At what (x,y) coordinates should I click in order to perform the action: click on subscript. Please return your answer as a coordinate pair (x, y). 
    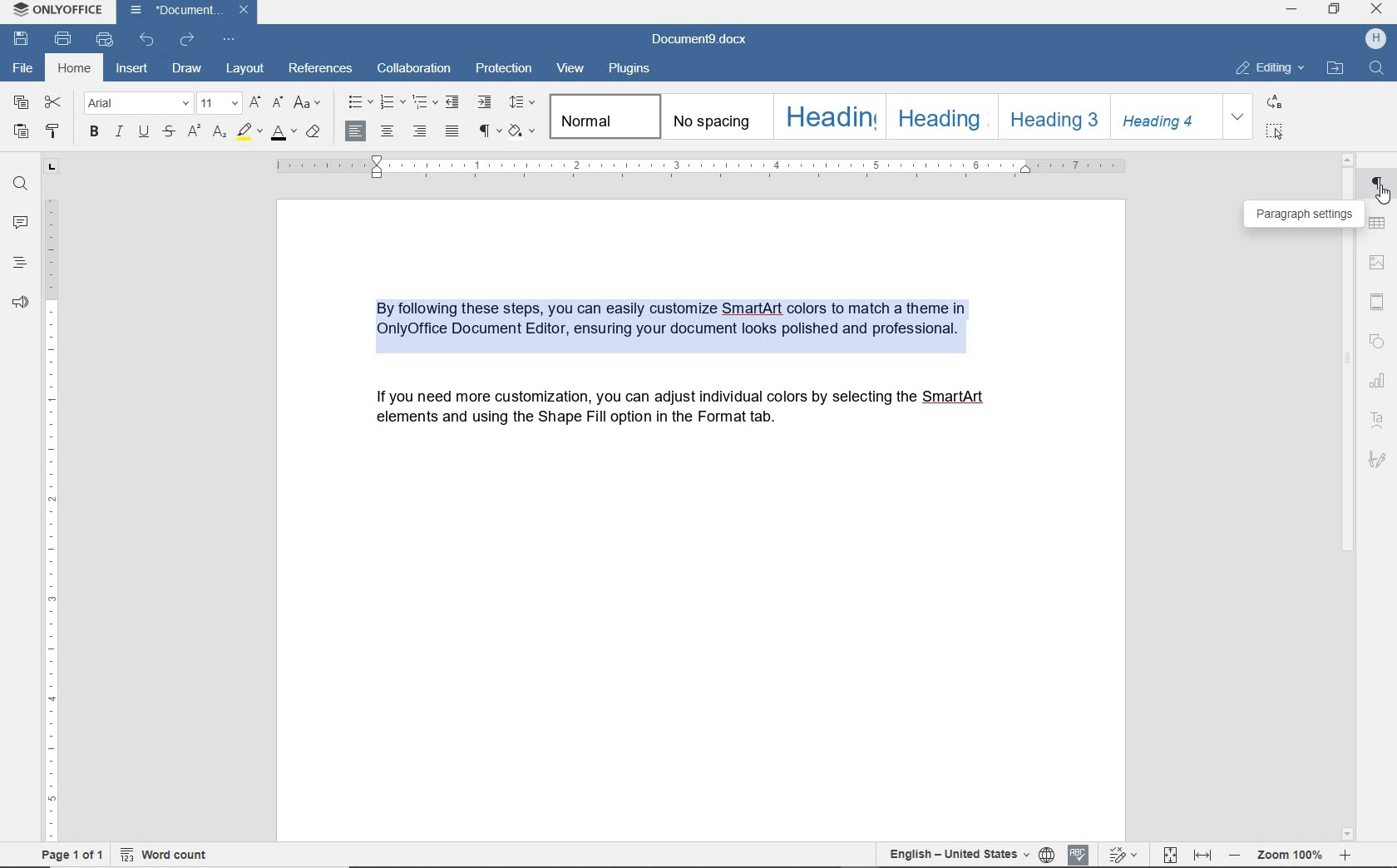
    Looking at the image, I should click on (220, 133).